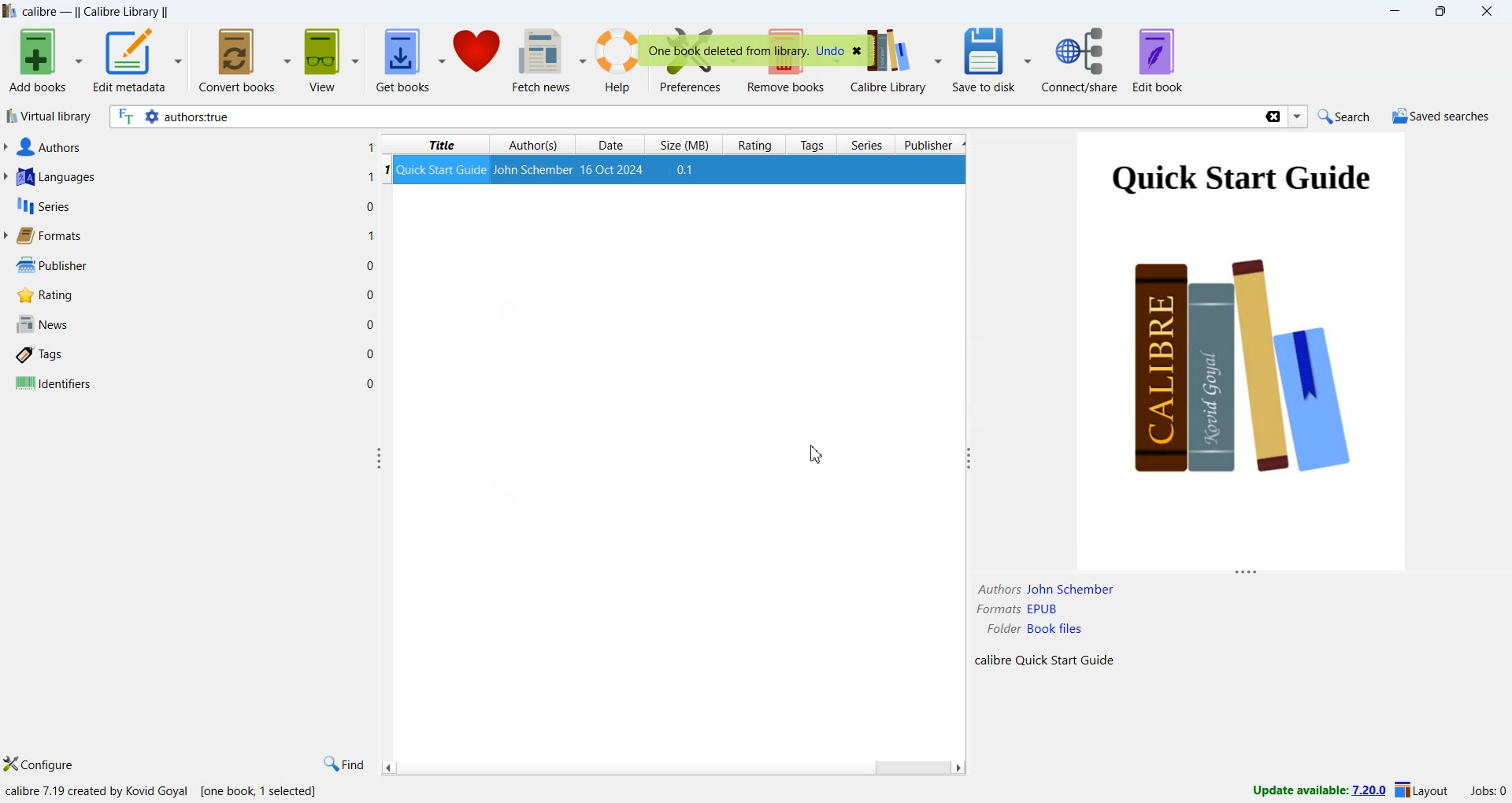  What do you see at coordinates (48, 118) in the screenshot?
I see `virtual library` at bounding box center [48, 118].